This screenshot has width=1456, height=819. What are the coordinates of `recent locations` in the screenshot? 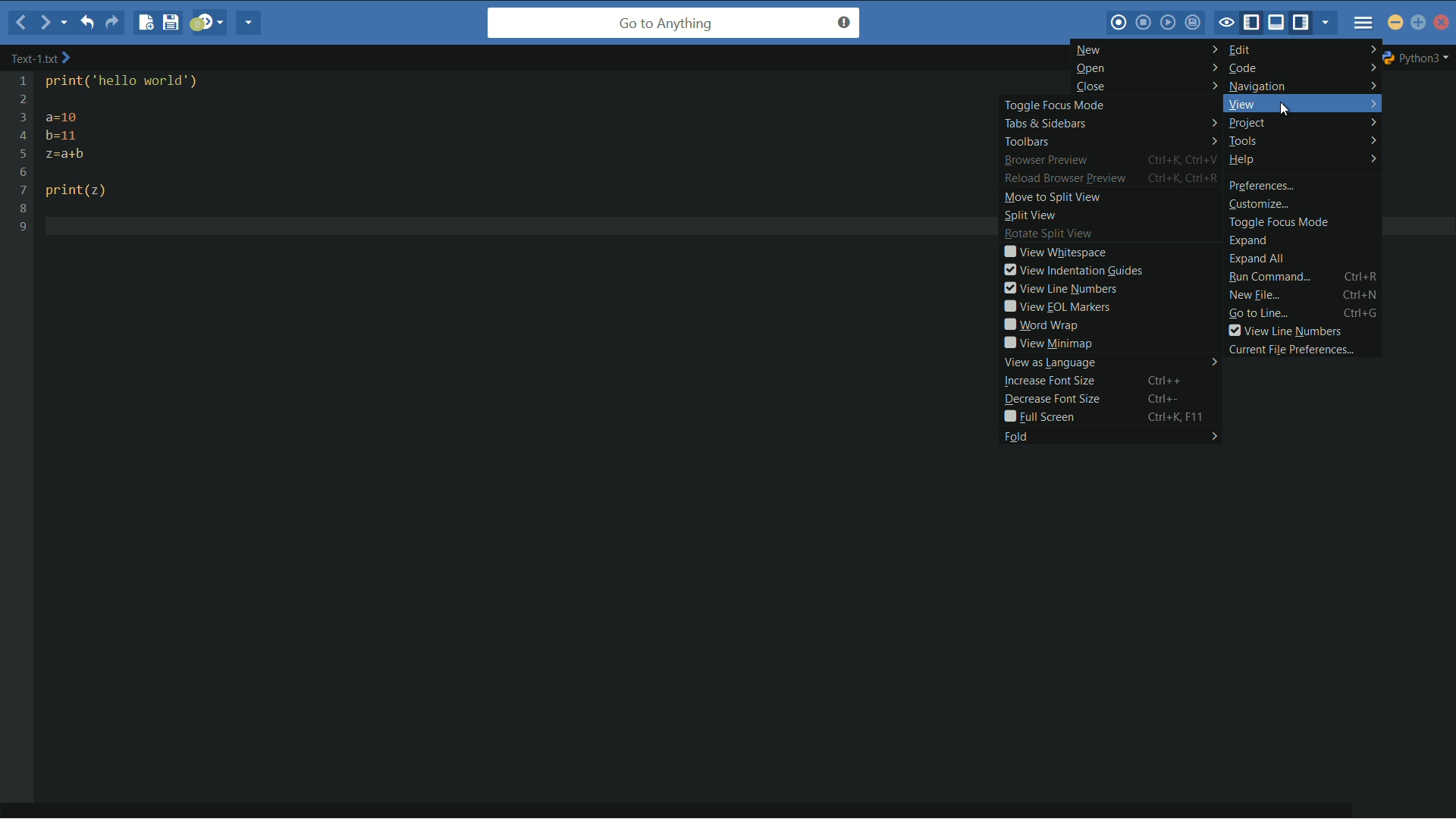 It's located at (66, 24).